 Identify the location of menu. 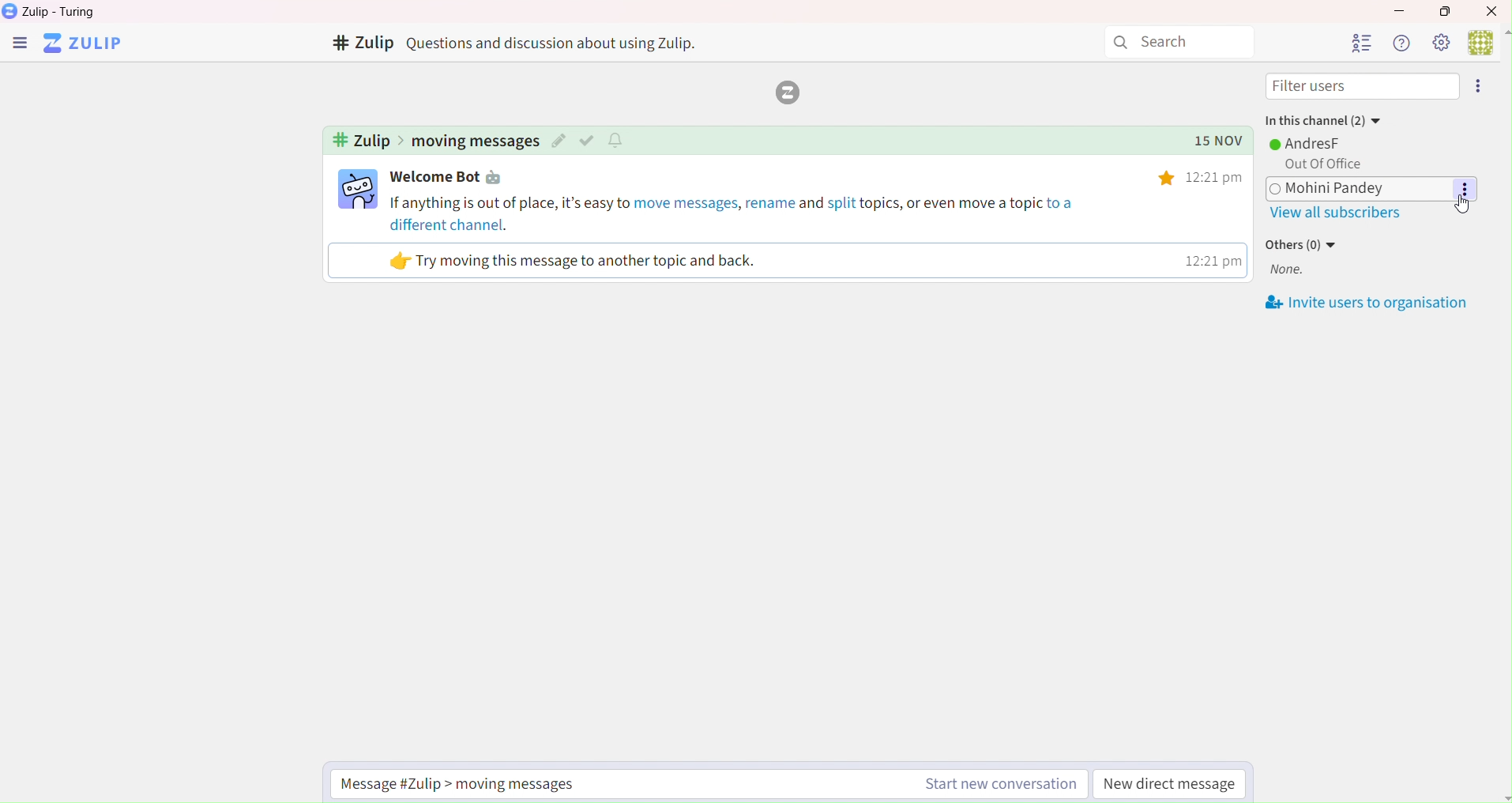
(19, 45).